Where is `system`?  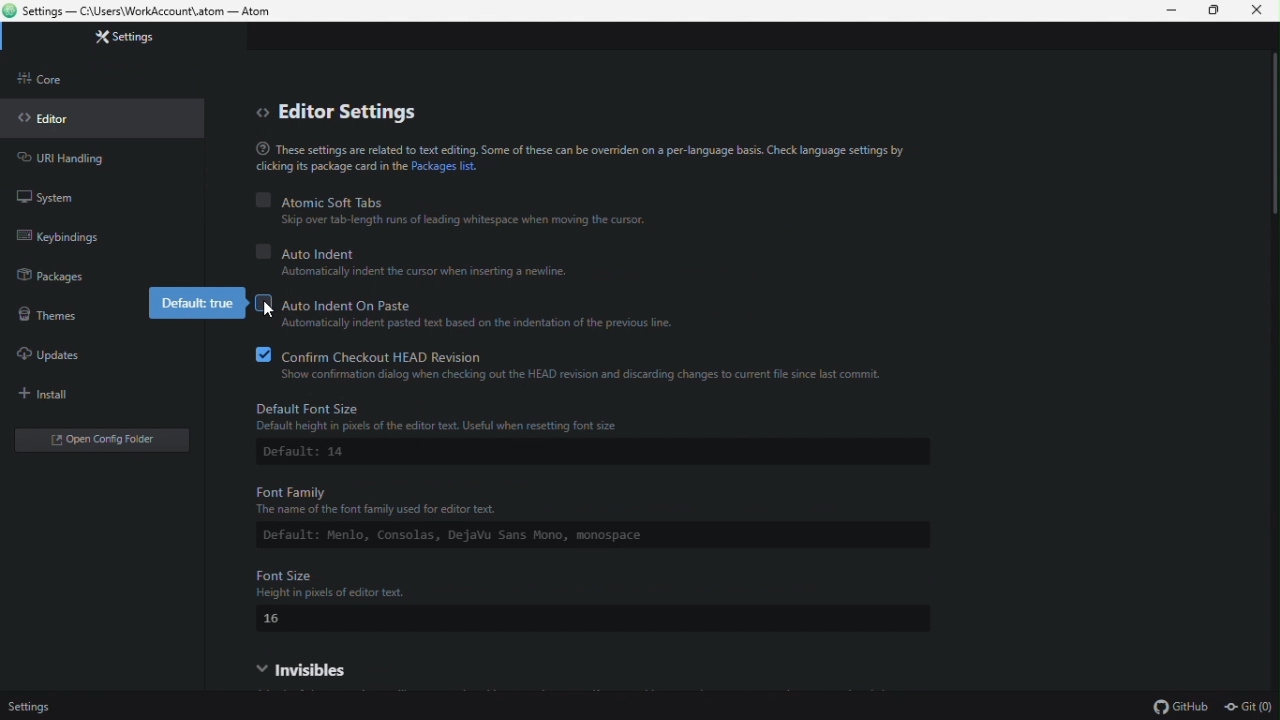 system is located at coordinates (72, 194).